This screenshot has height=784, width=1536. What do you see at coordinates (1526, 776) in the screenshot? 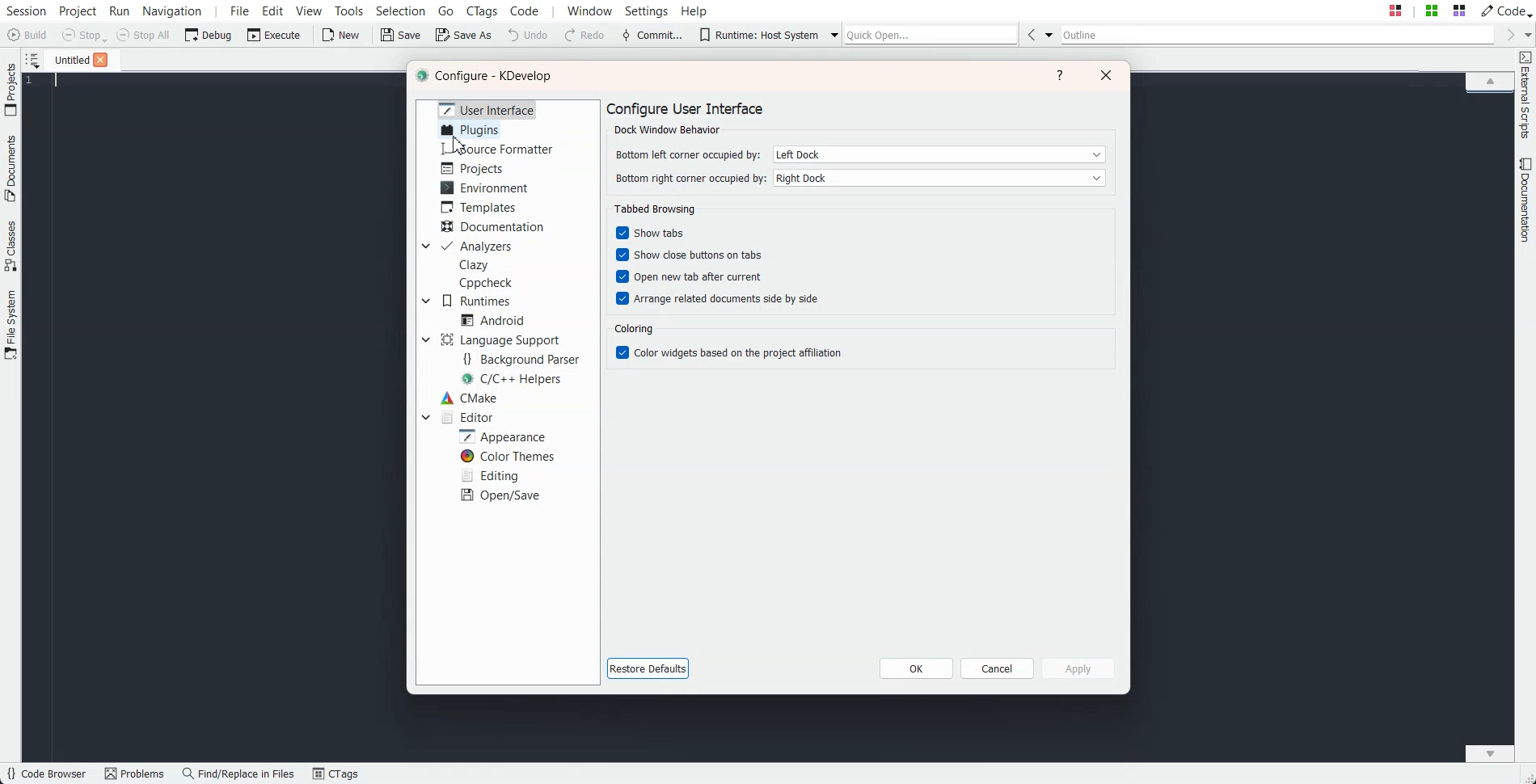
I see `Slide Shifter` at bounding box center [1526, 776].